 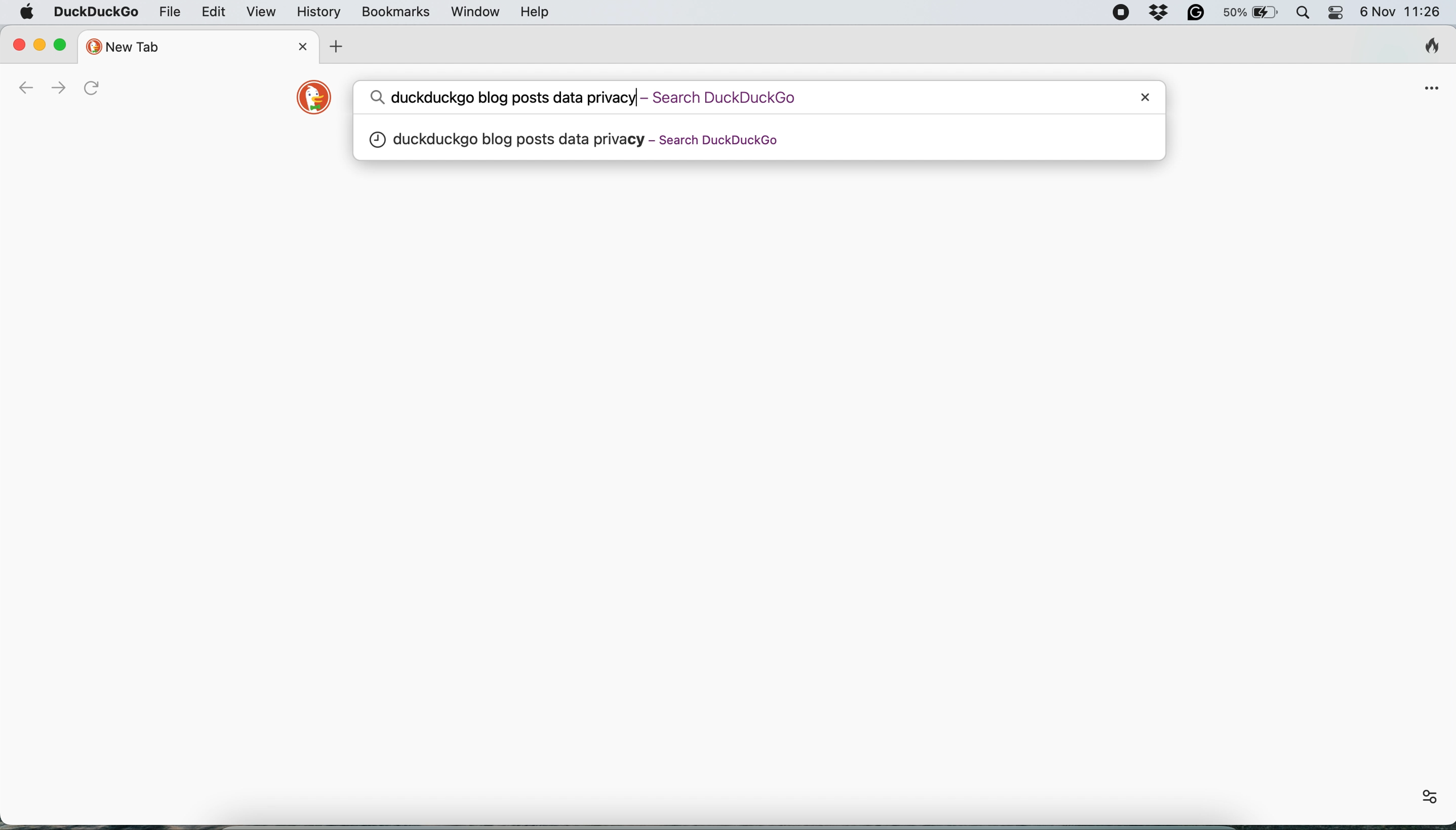 What do you see at coordinates (317, 98) in the screenshot?
I see `duckduckgo logo` at bounding box center [317, 98].